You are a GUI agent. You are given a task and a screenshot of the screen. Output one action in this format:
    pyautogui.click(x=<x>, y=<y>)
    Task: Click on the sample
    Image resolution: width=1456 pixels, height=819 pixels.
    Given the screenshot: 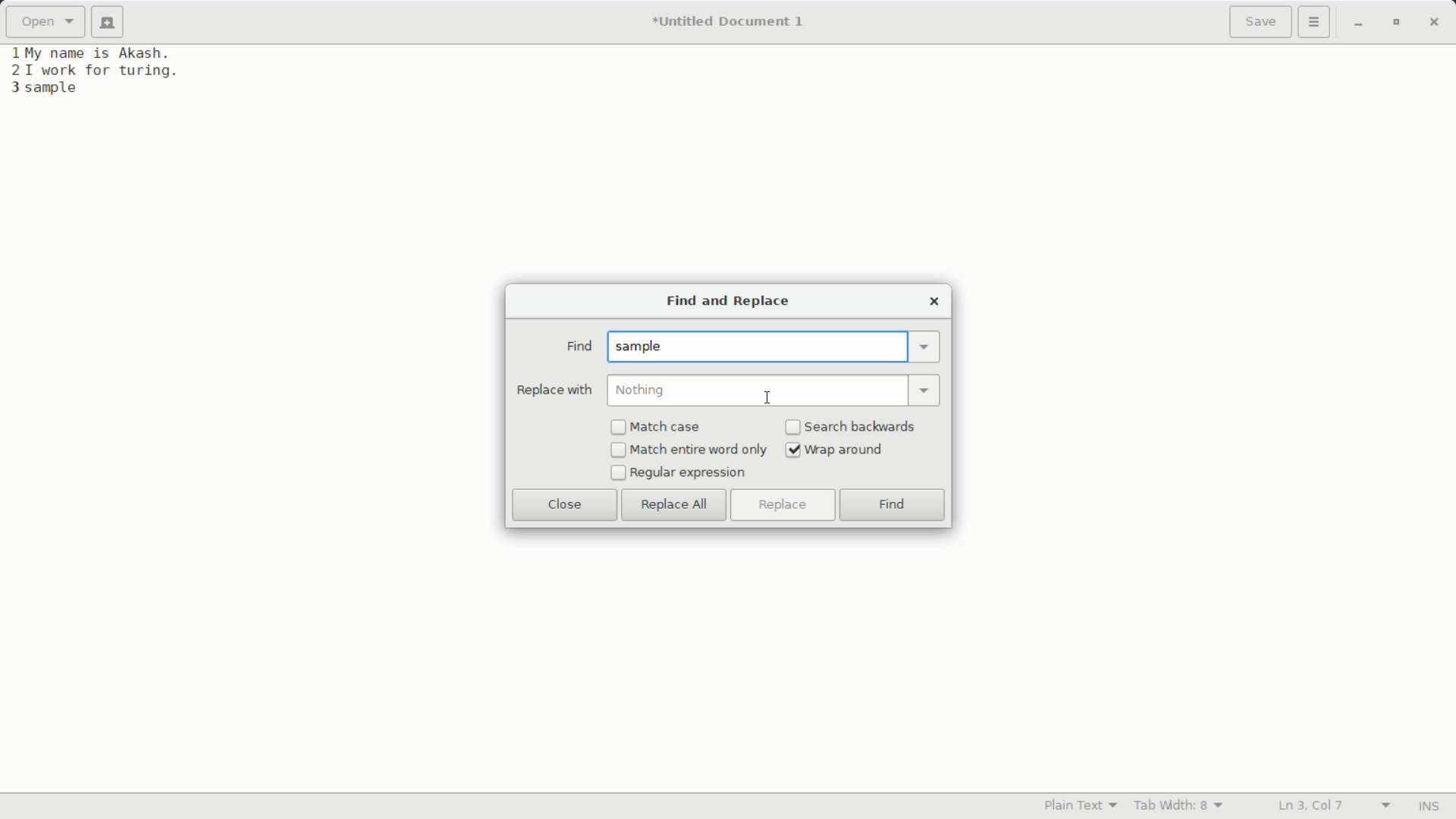 What is the action you would take?
    pyautogui.click(x=643, y=347)
    